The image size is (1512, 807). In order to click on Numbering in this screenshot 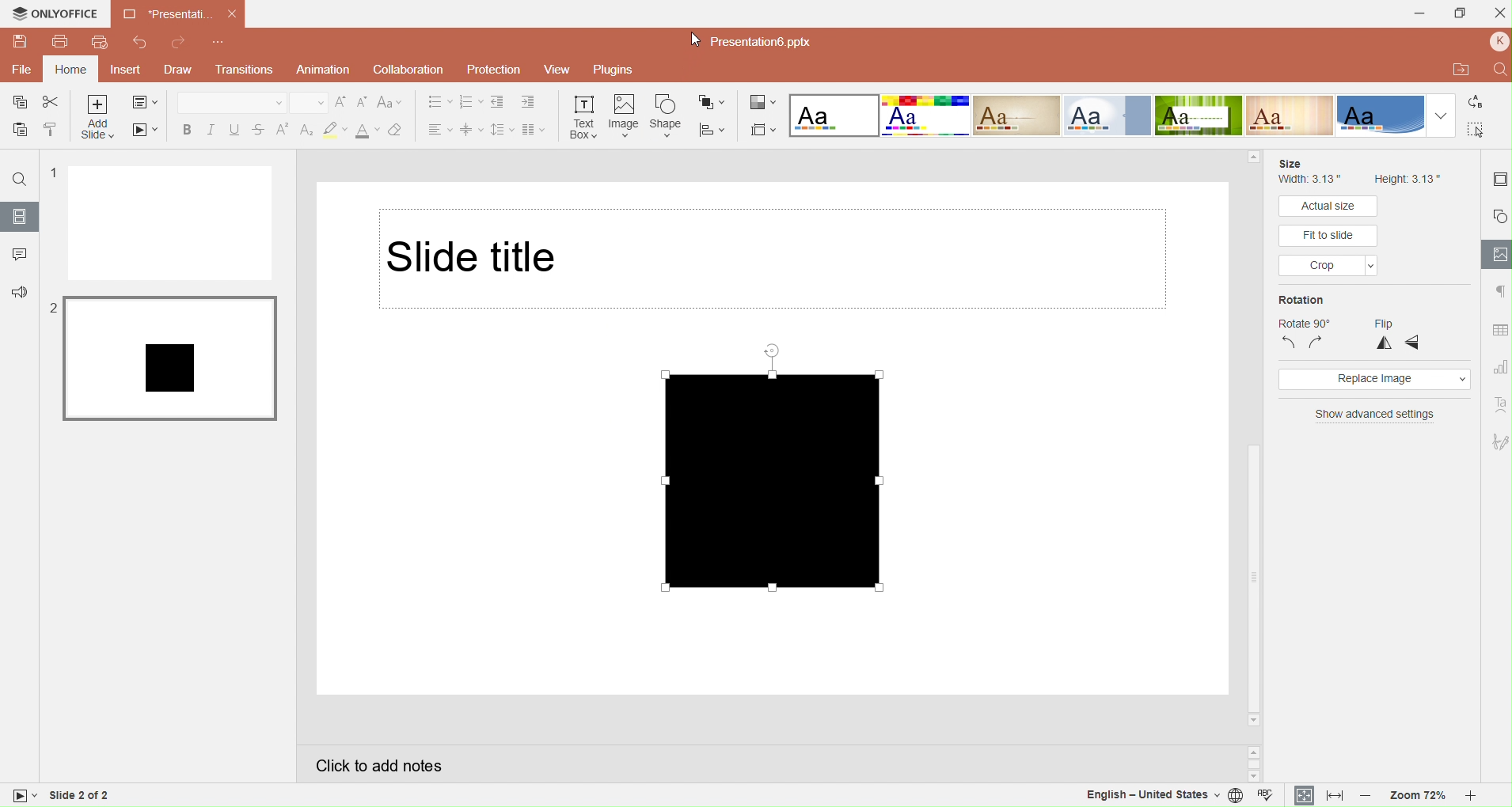, I will do `click(469, 102)`.